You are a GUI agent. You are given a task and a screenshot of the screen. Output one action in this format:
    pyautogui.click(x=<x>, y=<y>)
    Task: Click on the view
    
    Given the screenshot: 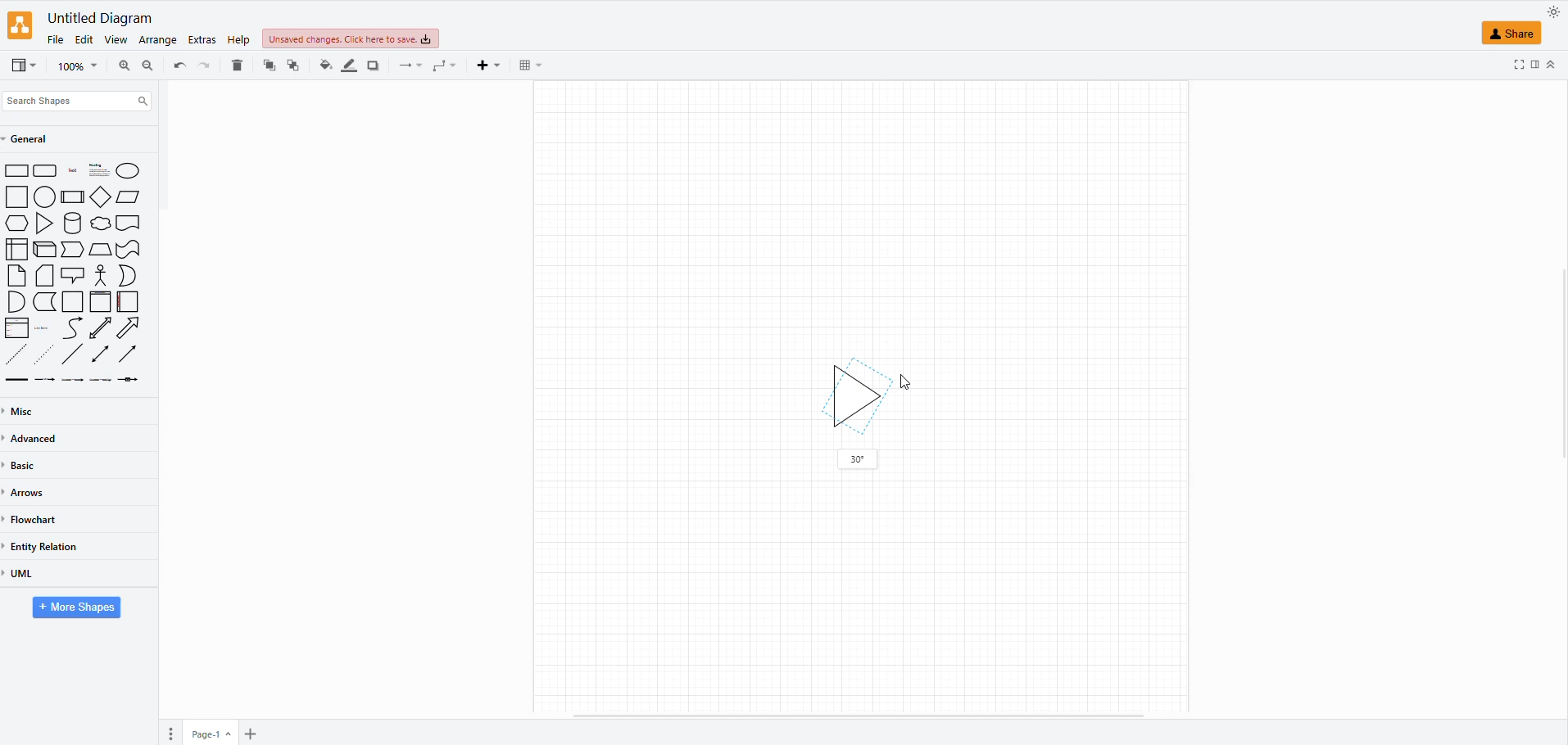 What is the action you would take?
    pyautogui.click(x=21, y=65)
    